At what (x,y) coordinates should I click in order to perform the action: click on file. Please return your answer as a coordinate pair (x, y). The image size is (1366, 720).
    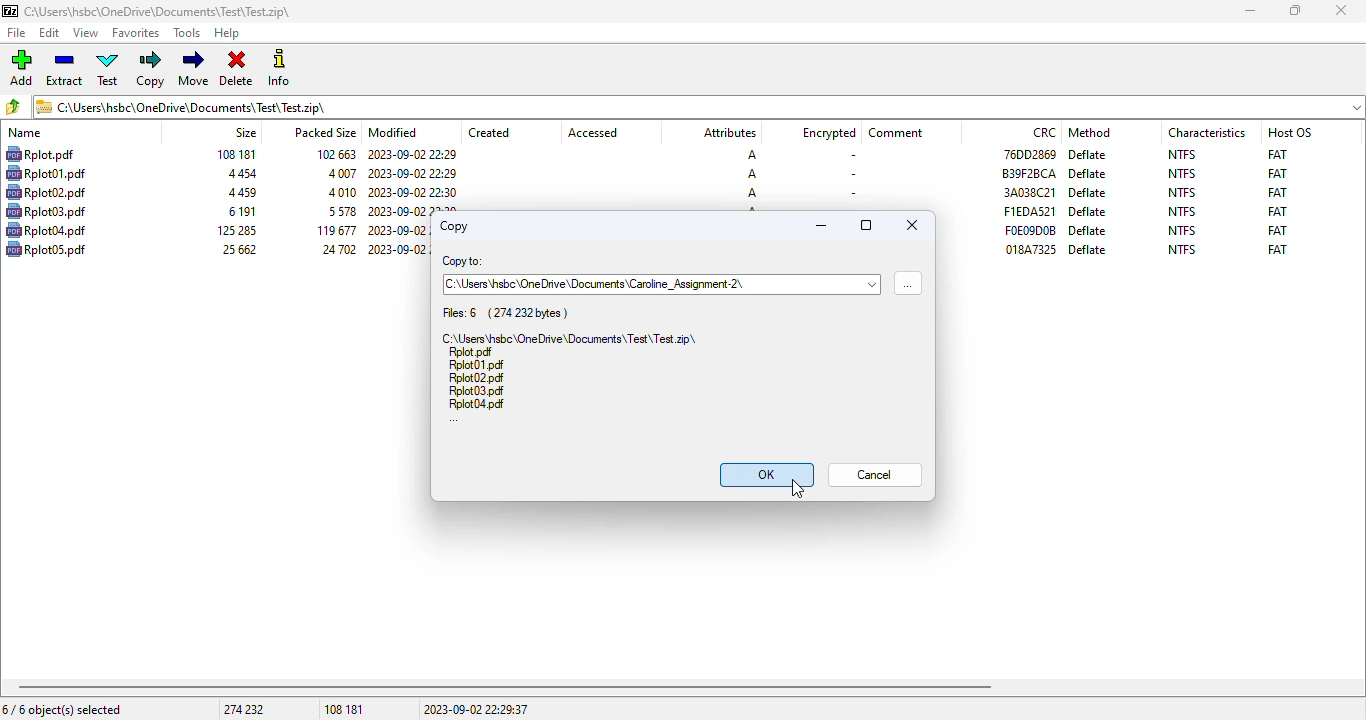
    Looking at the image, I should click on (46, 248).